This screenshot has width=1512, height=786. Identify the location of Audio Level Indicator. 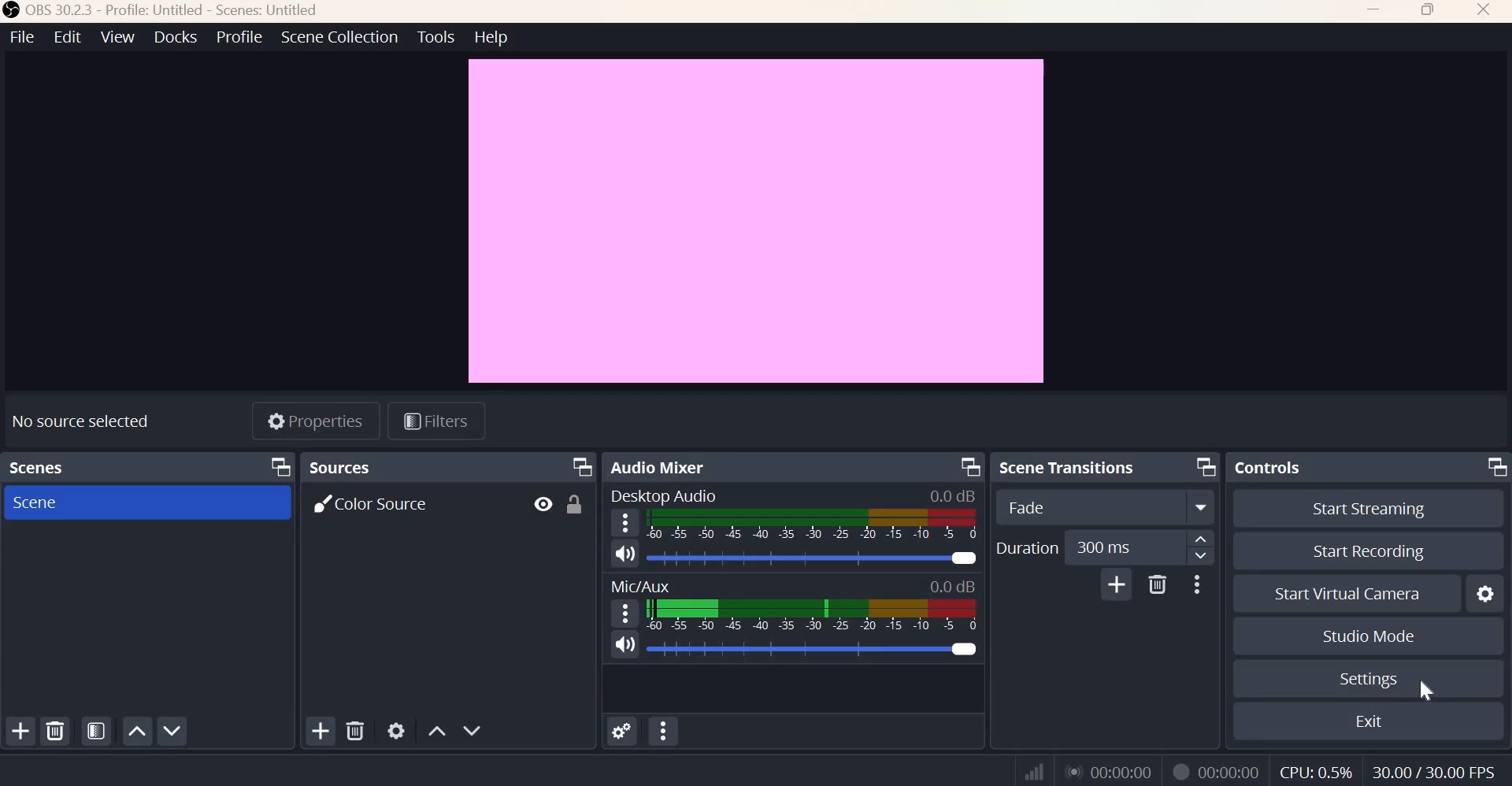
(954, 495).